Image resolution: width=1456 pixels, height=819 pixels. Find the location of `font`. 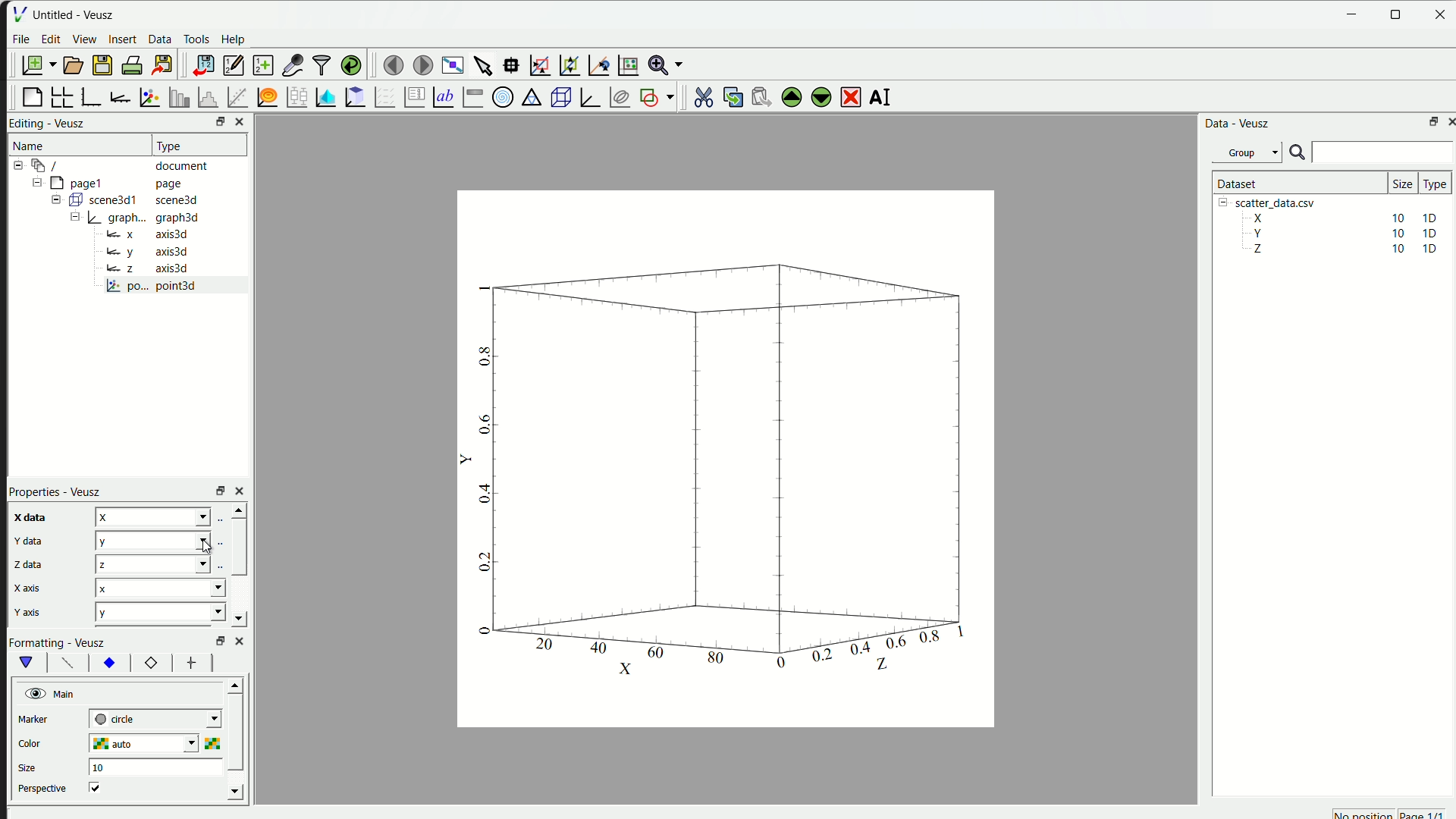

font is located at coordinates (65, 663).